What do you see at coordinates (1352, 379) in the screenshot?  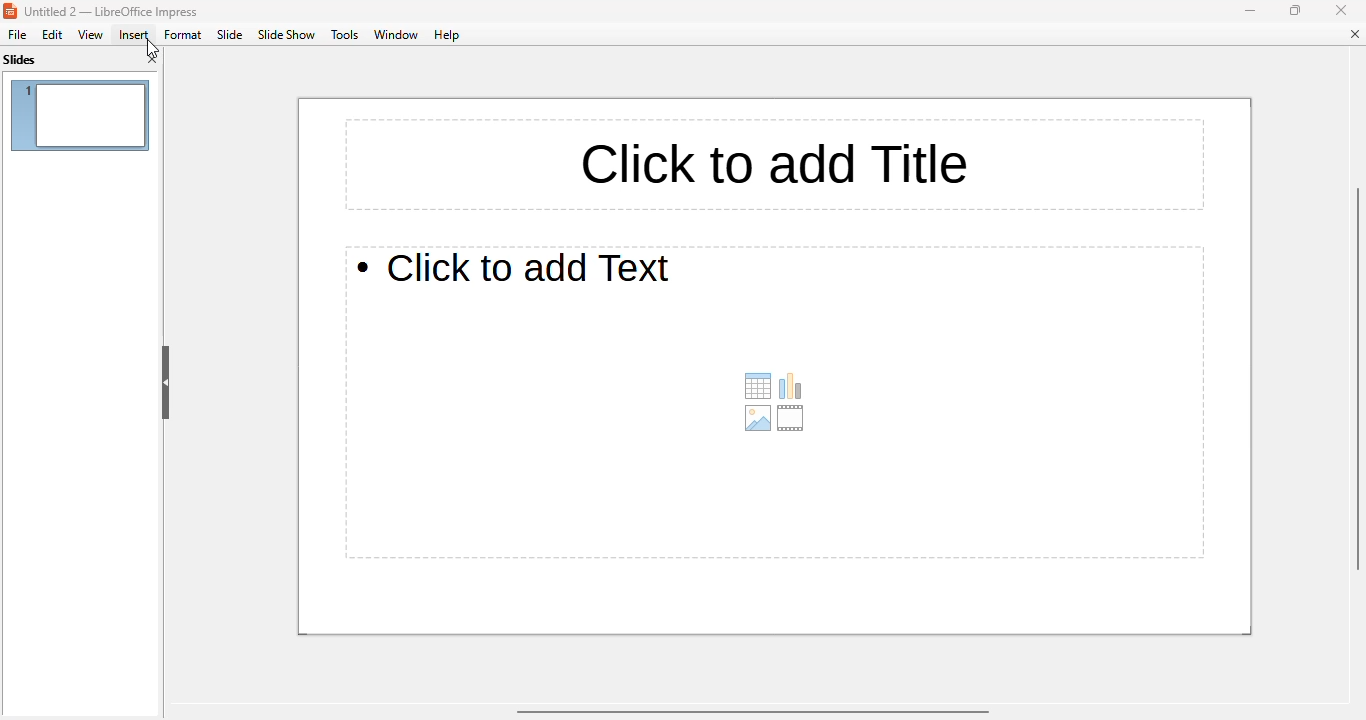 I see `vertical scroll bar` at bounding box center [1352, 379].